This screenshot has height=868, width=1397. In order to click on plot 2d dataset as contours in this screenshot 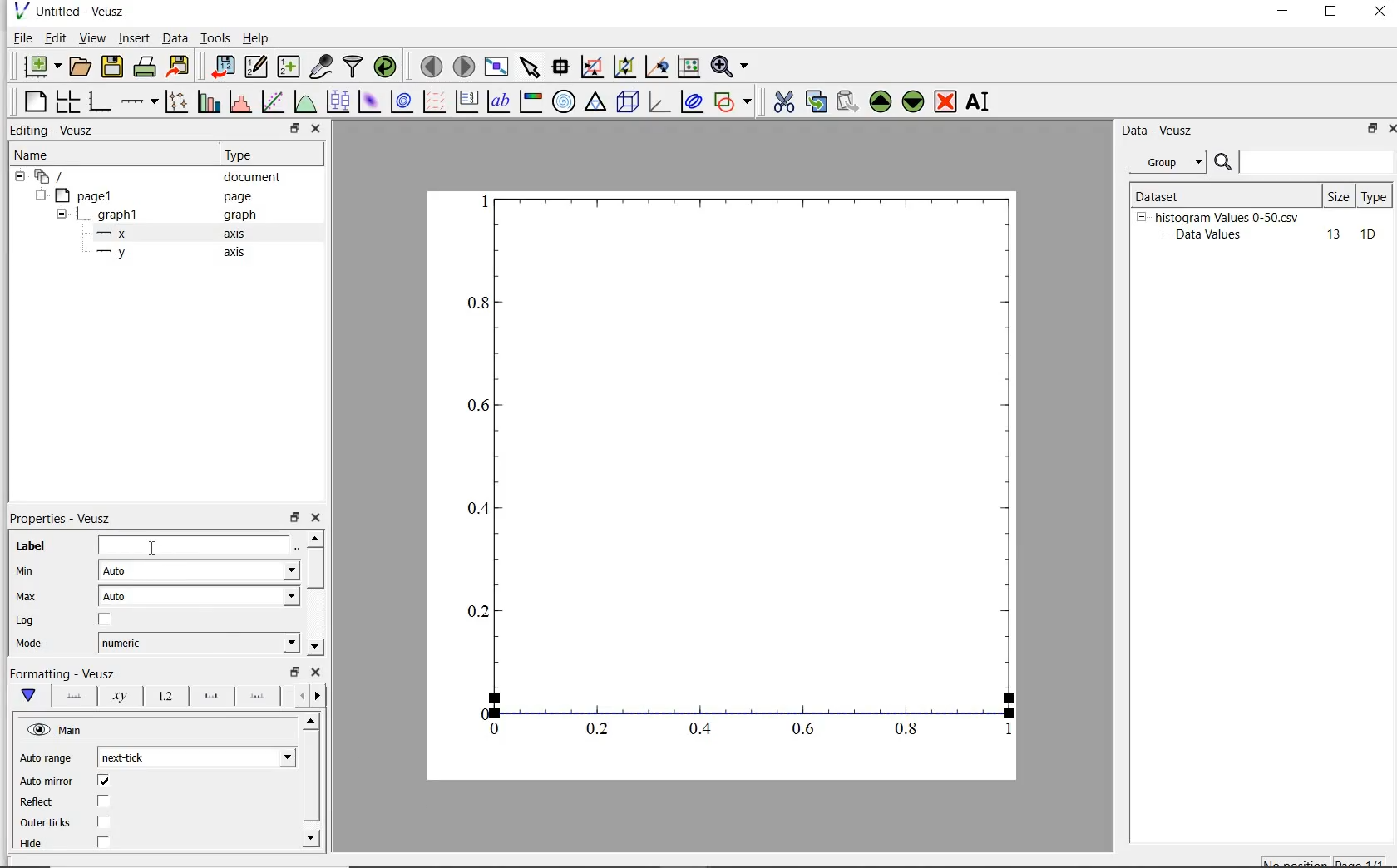, I will do `click(402, 101)`.